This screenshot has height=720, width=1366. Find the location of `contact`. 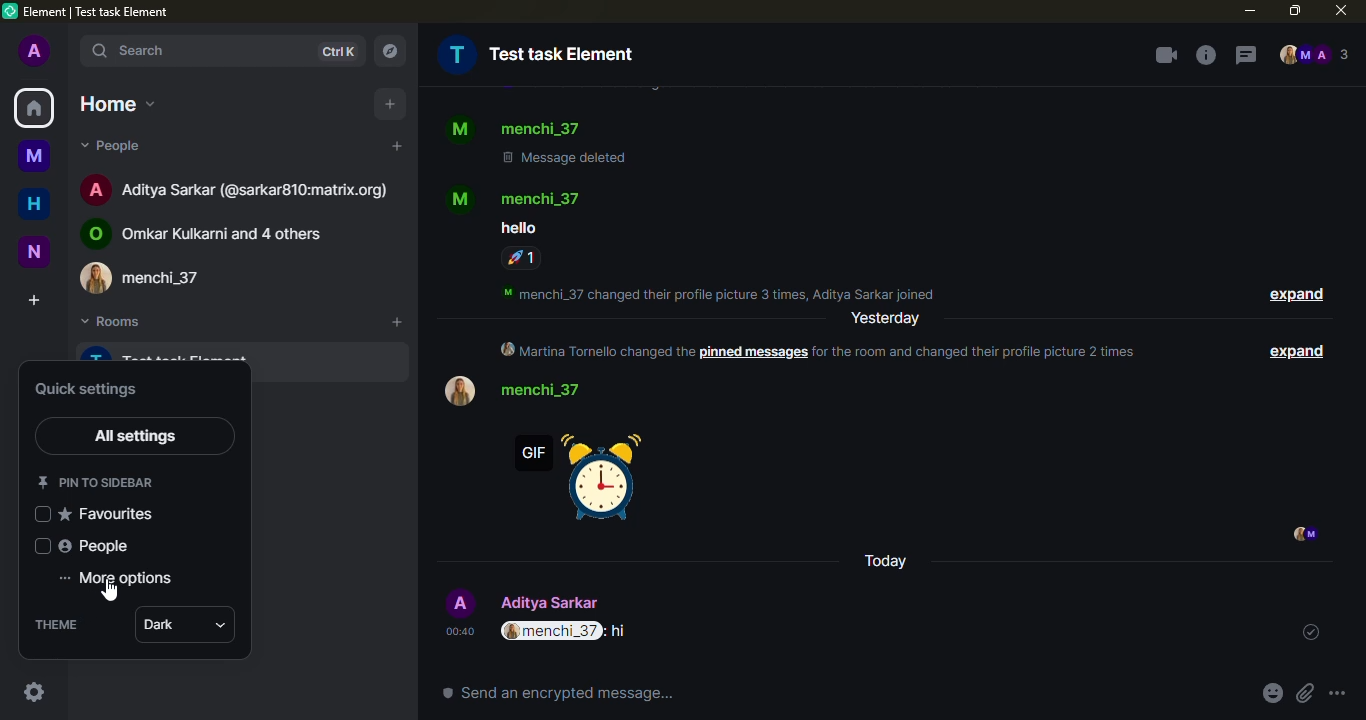

contact is located at coordinates (217, 231).